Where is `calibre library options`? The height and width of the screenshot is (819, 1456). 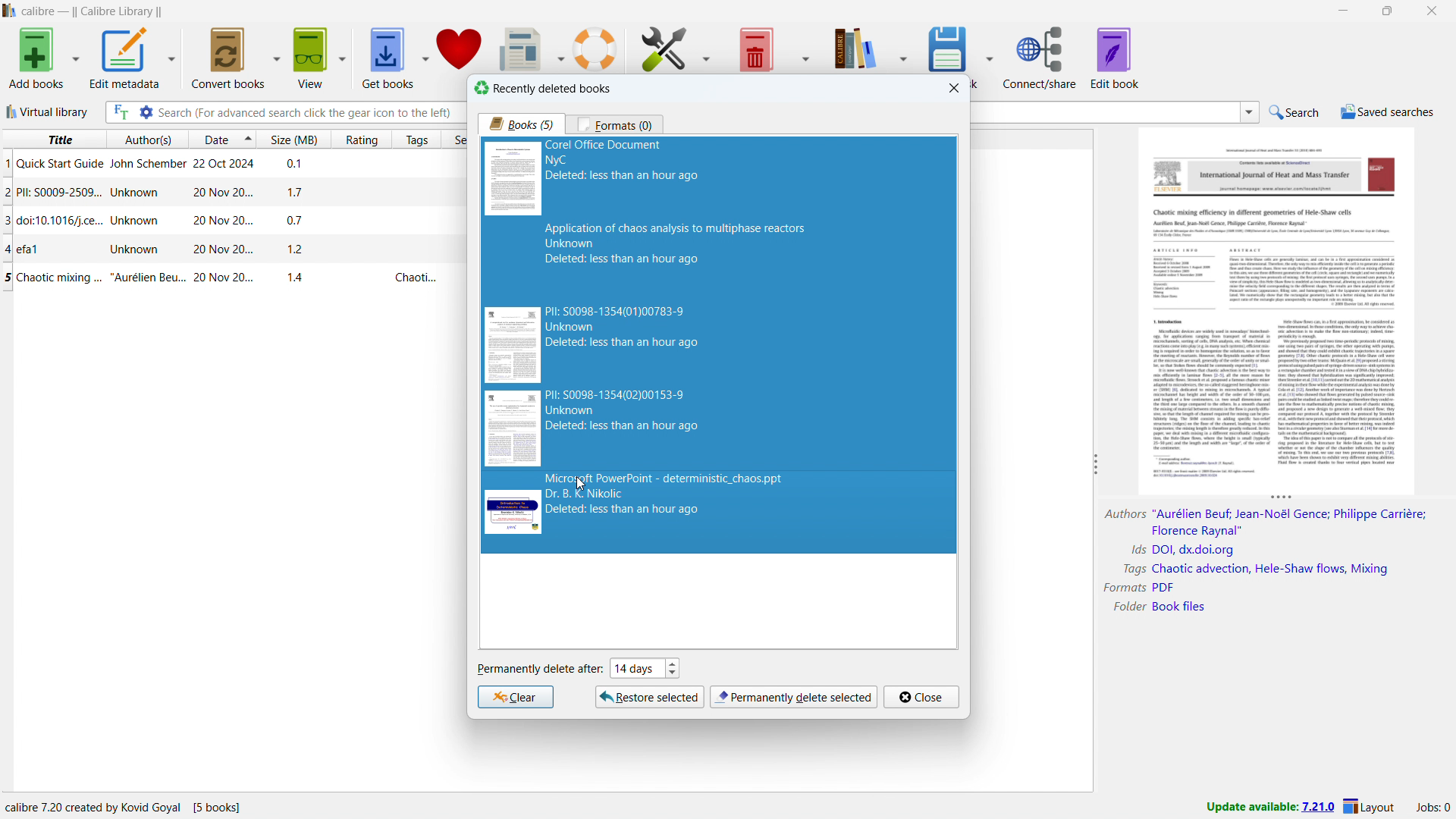 calibre library options is located at coordinates (907, 47).